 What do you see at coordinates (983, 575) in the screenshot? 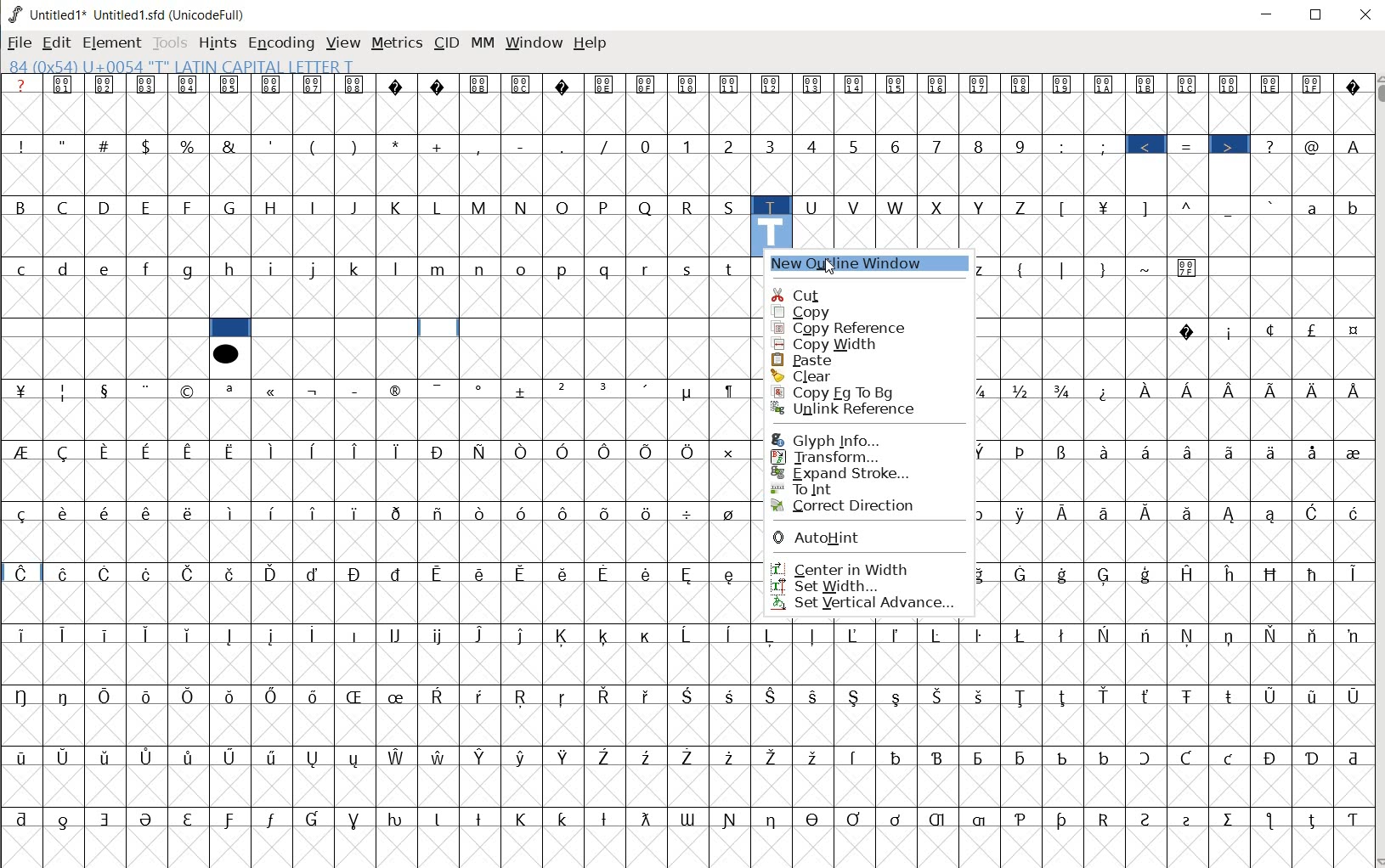
I see `Symbol` at bounding box center [983, 575].